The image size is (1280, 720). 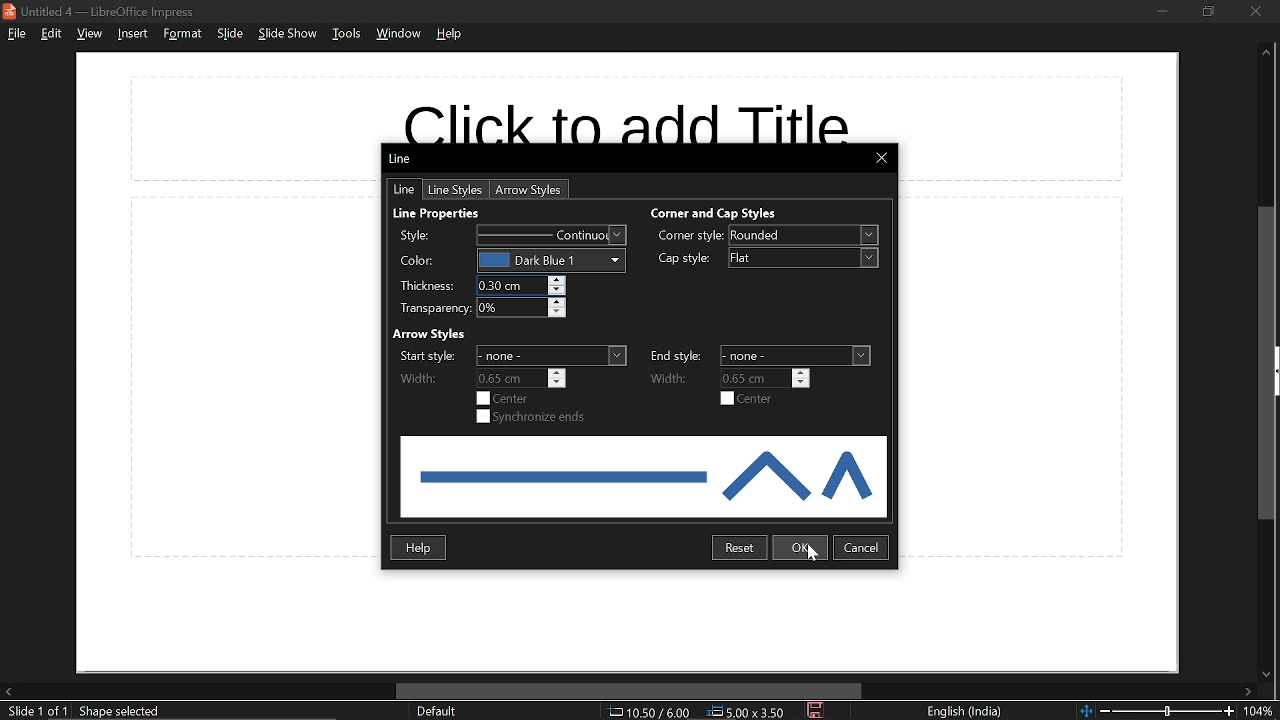 I want to click on transparency, so click(x=521, y=309).